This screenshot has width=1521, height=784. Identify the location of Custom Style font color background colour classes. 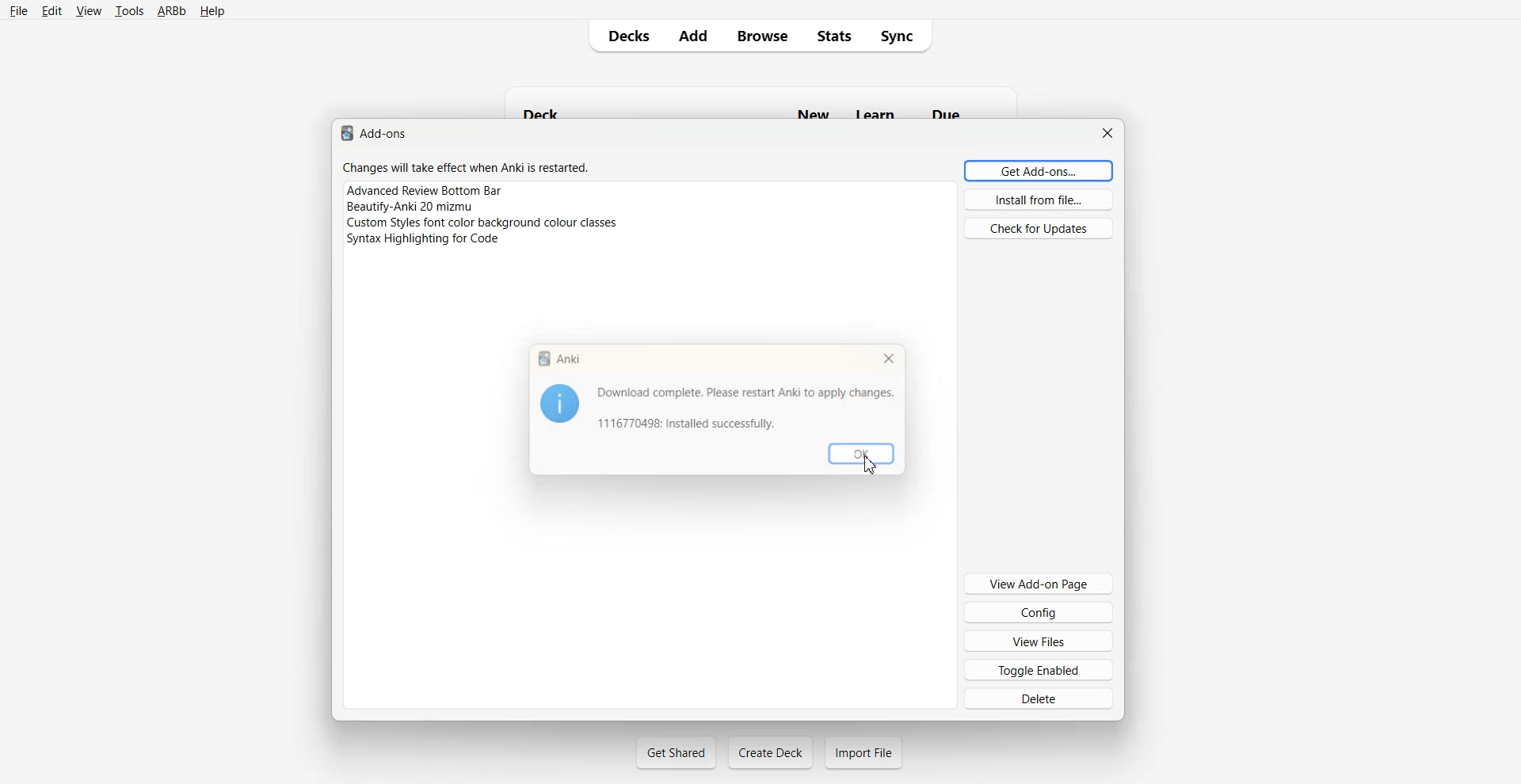
(650, 222).